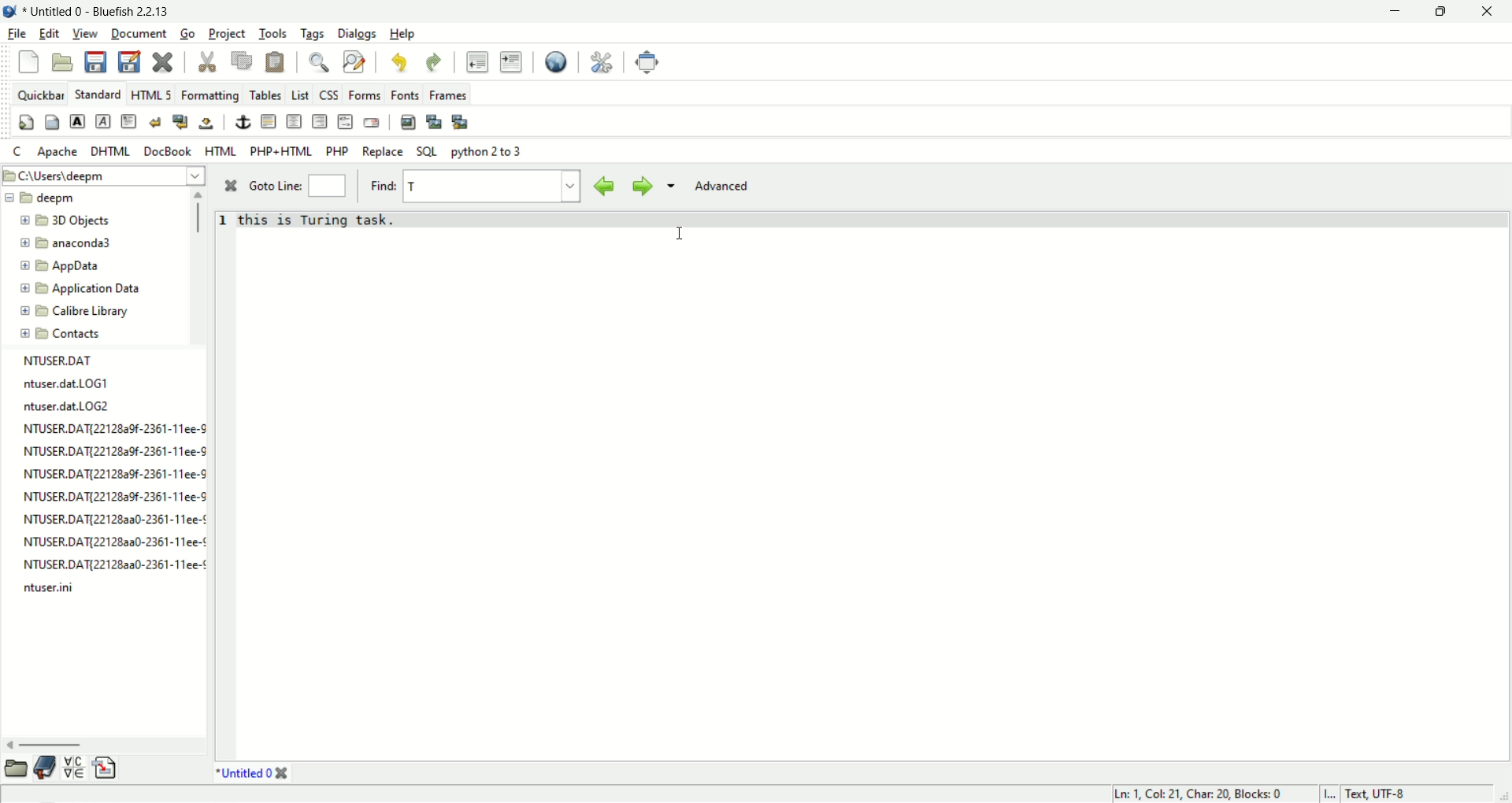 The height and width of the screenshot is (803, 1512). I want to click on file, so click(15, 35).